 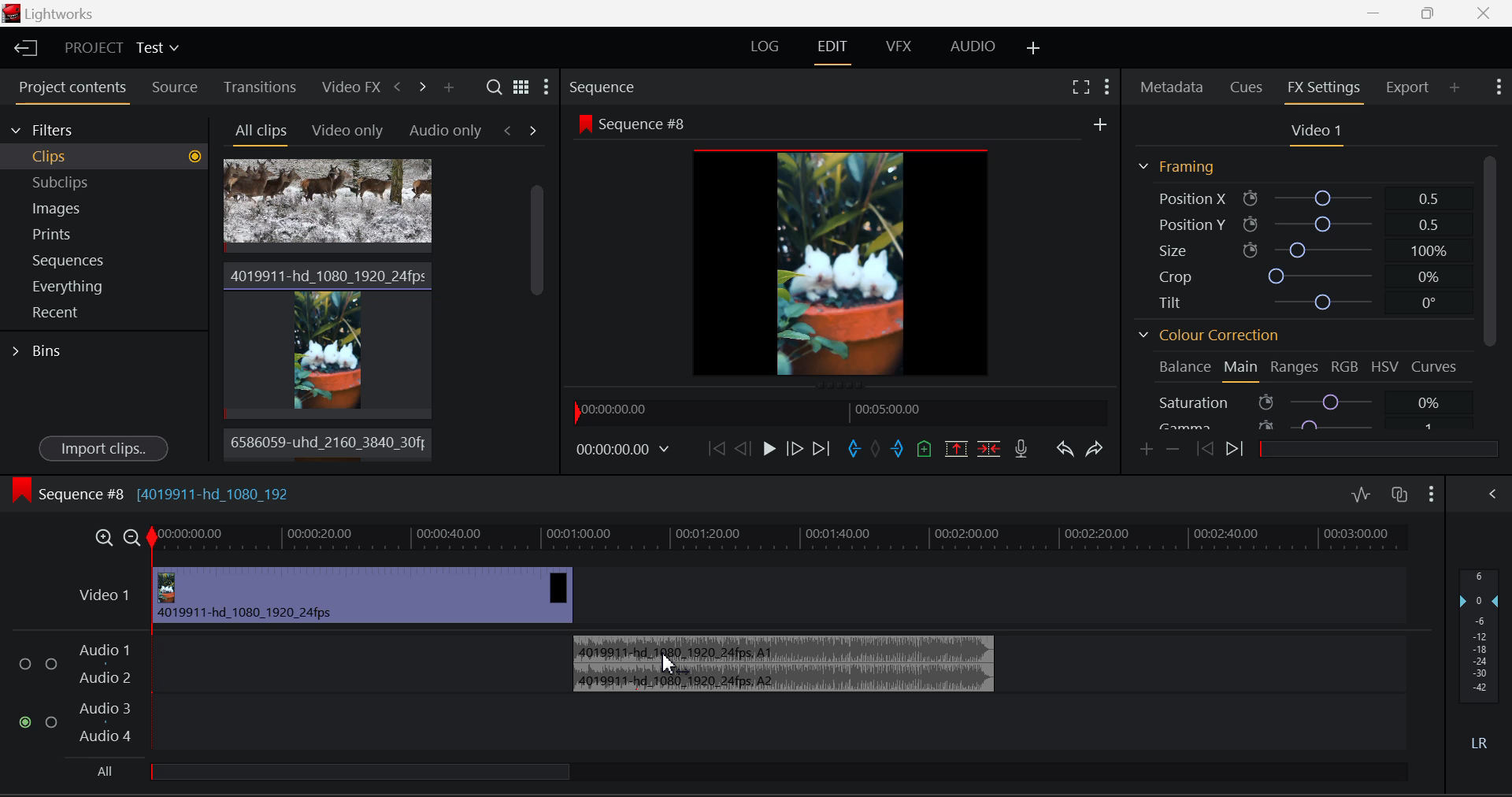 What do you see at coordinates (117, 537) in the screenshot?
I see `Timeline Zoom In/Out` at bounding box center [117, 537].